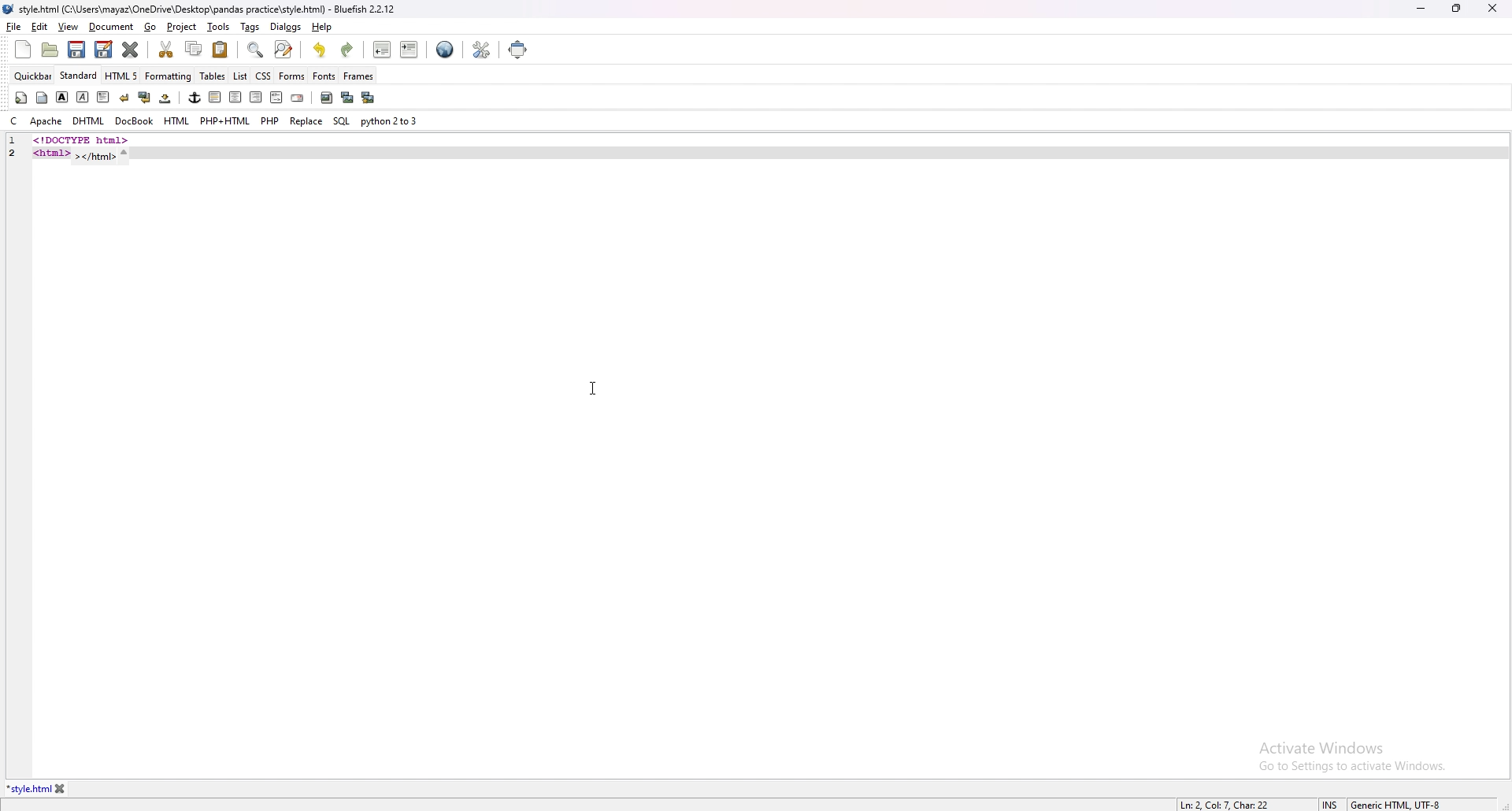  What do you see at coordinates (13, 141) in the screenshot?
I see `line number` at bounding box center [13, 141].